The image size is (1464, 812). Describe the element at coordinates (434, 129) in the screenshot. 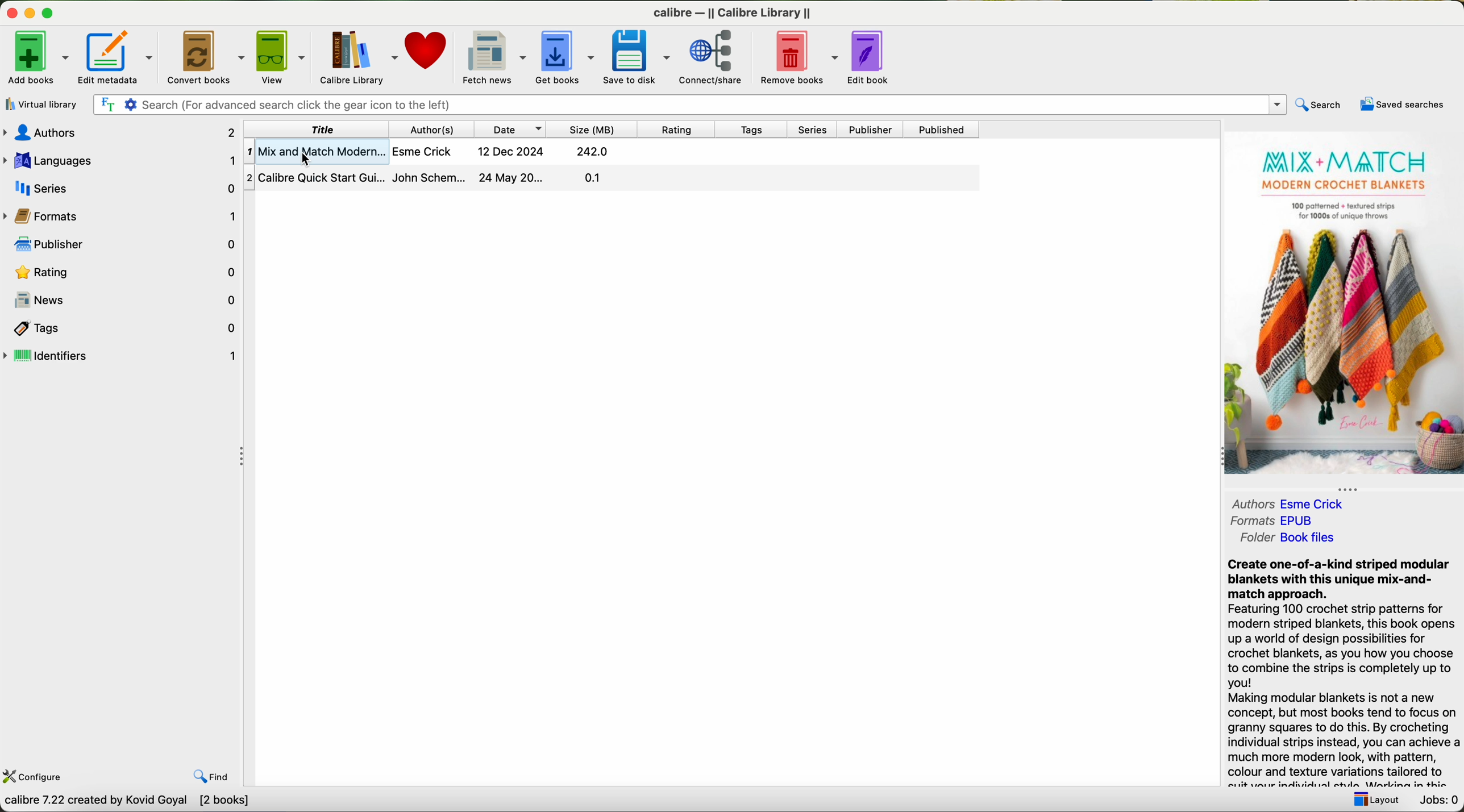

I see `author(s)` at that location.